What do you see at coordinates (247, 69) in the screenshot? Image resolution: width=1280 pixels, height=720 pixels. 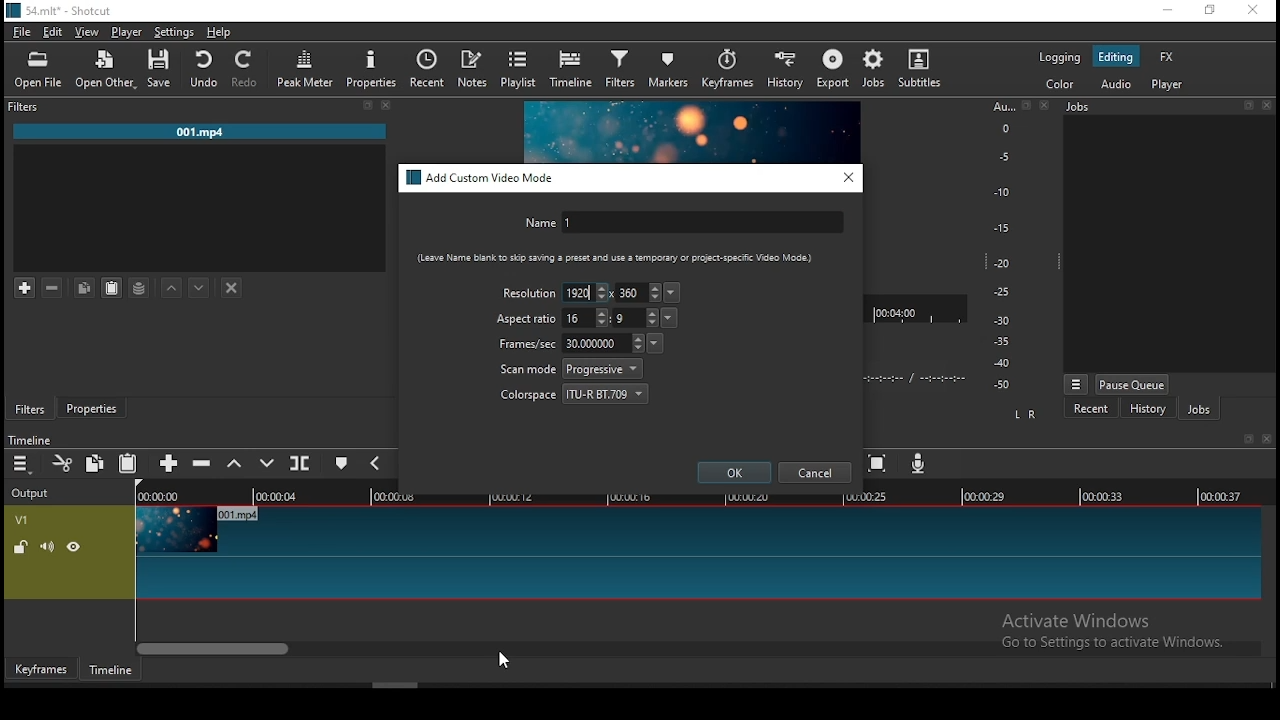 I see `redo` at bounding box center [247, 69].